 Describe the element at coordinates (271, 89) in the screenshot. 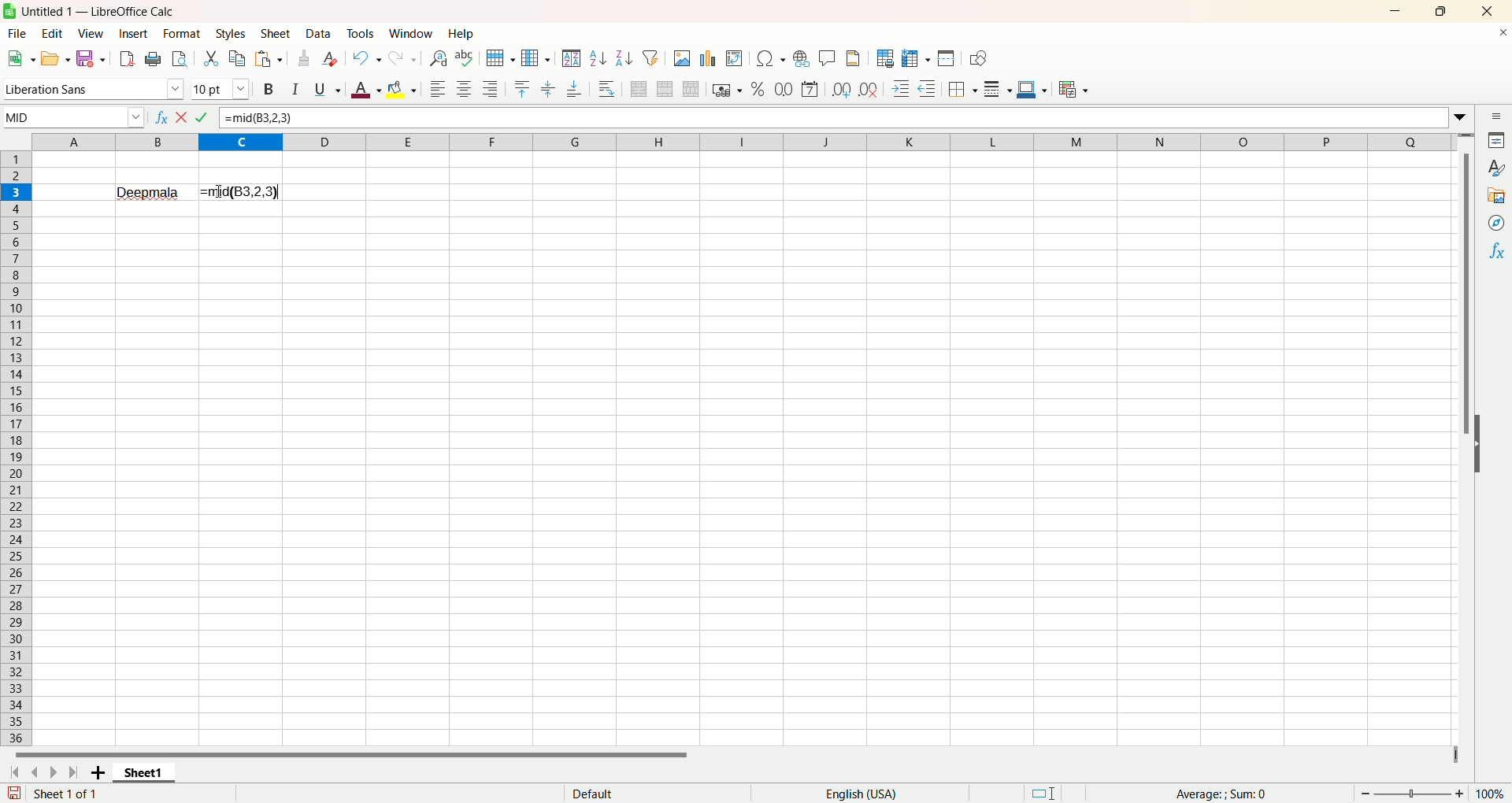

I see `Bold` at that location.